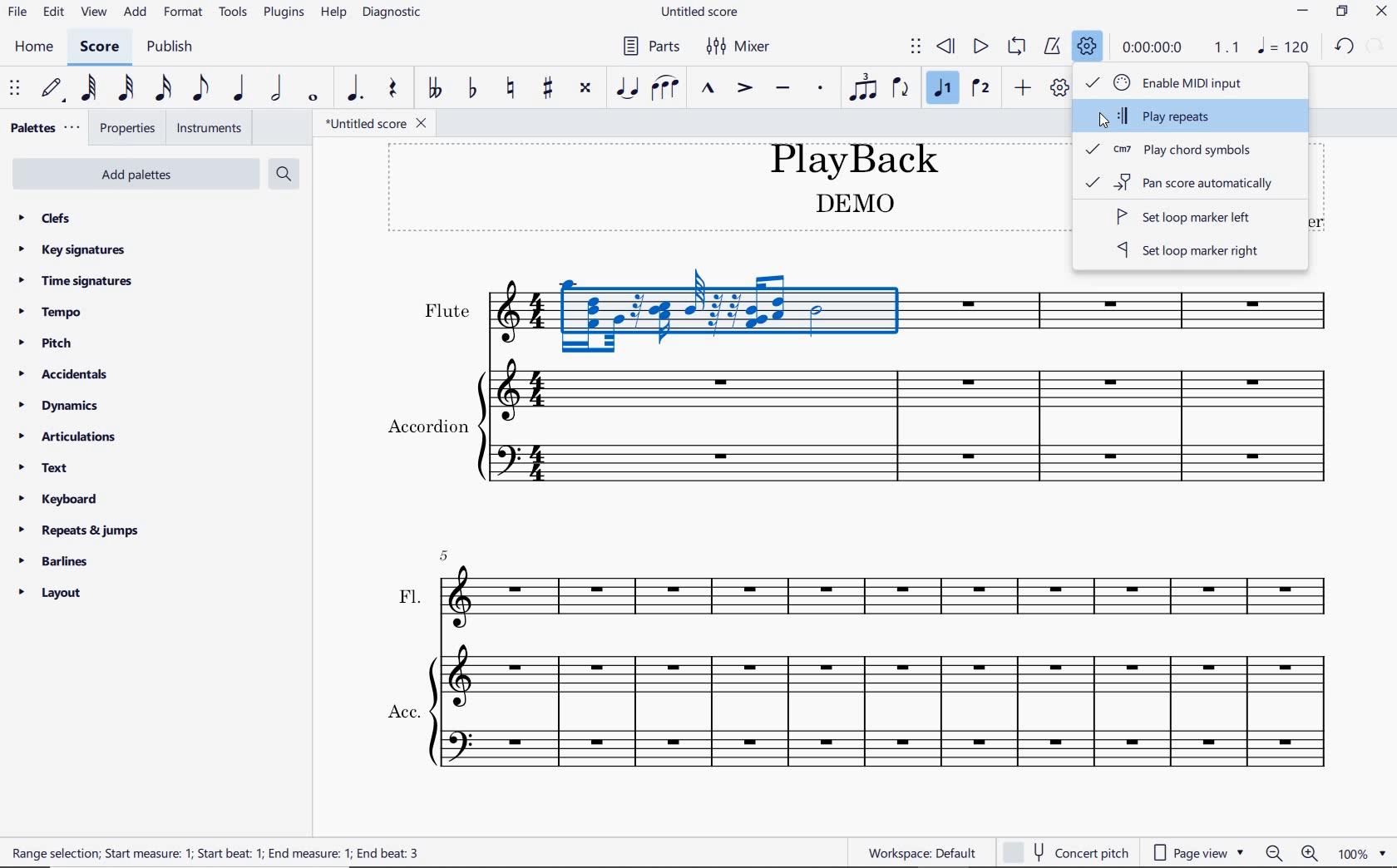 The height and width of the screenshot is (868, 1397). I want to click on time signatures, so click(79, 279).